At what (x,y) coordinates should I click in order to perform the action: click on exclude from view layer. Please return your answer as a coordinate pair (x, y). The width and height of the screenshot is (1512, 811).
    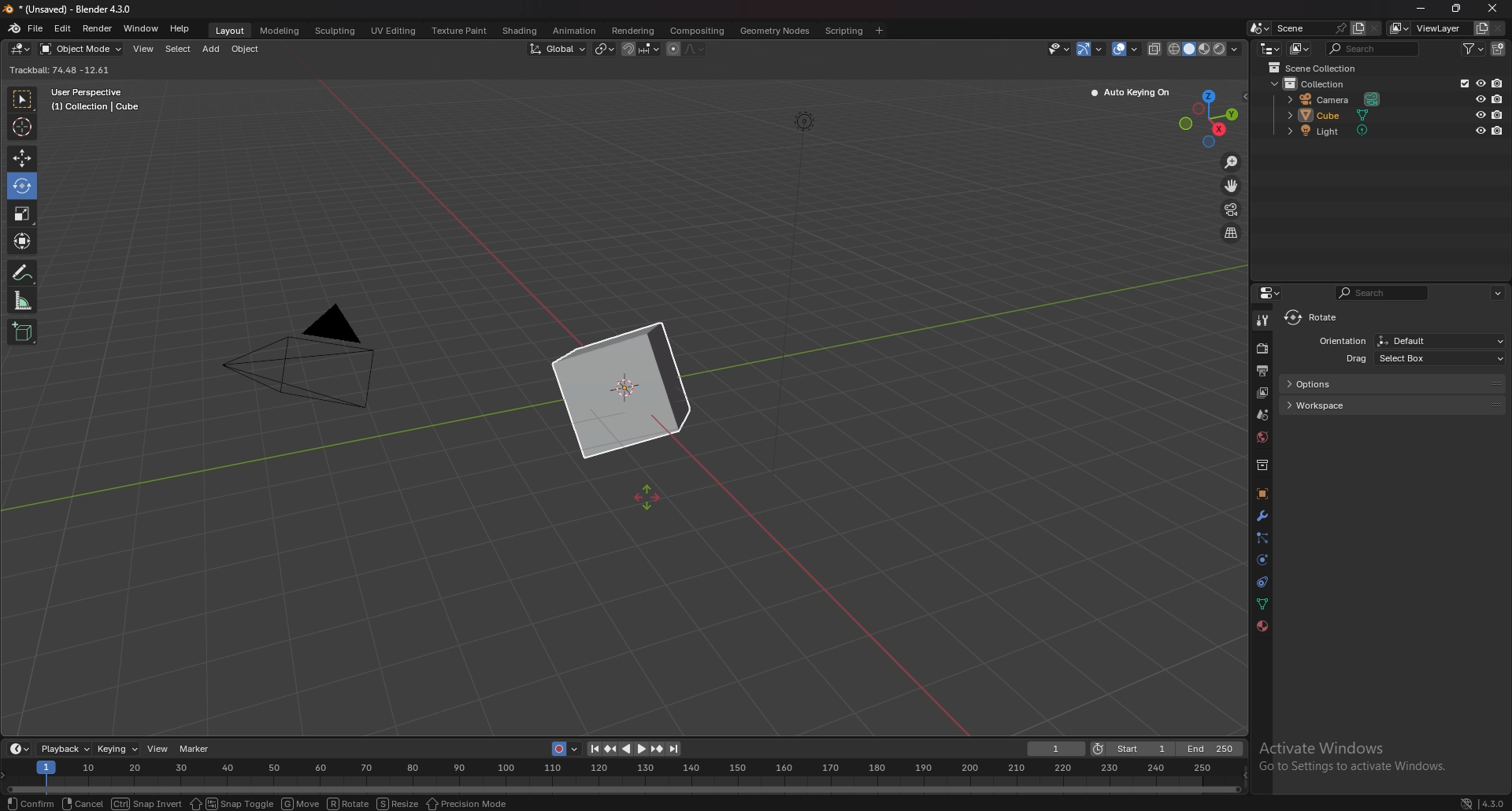
    Looking at the image, I should click on (1462, 83).